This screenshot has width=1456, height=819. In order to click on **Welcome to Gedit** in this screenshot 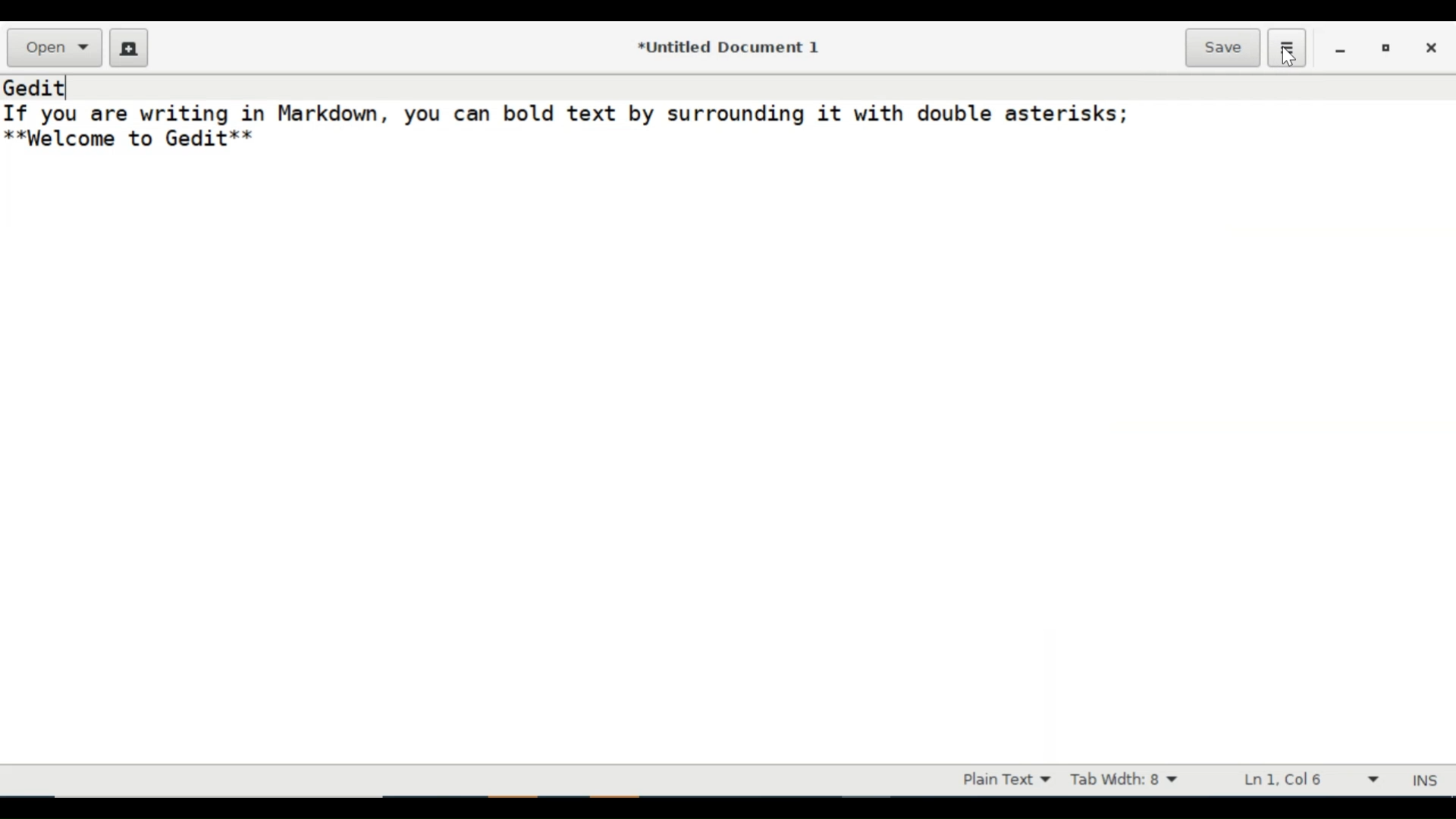, I will do `click(130, 139)`.